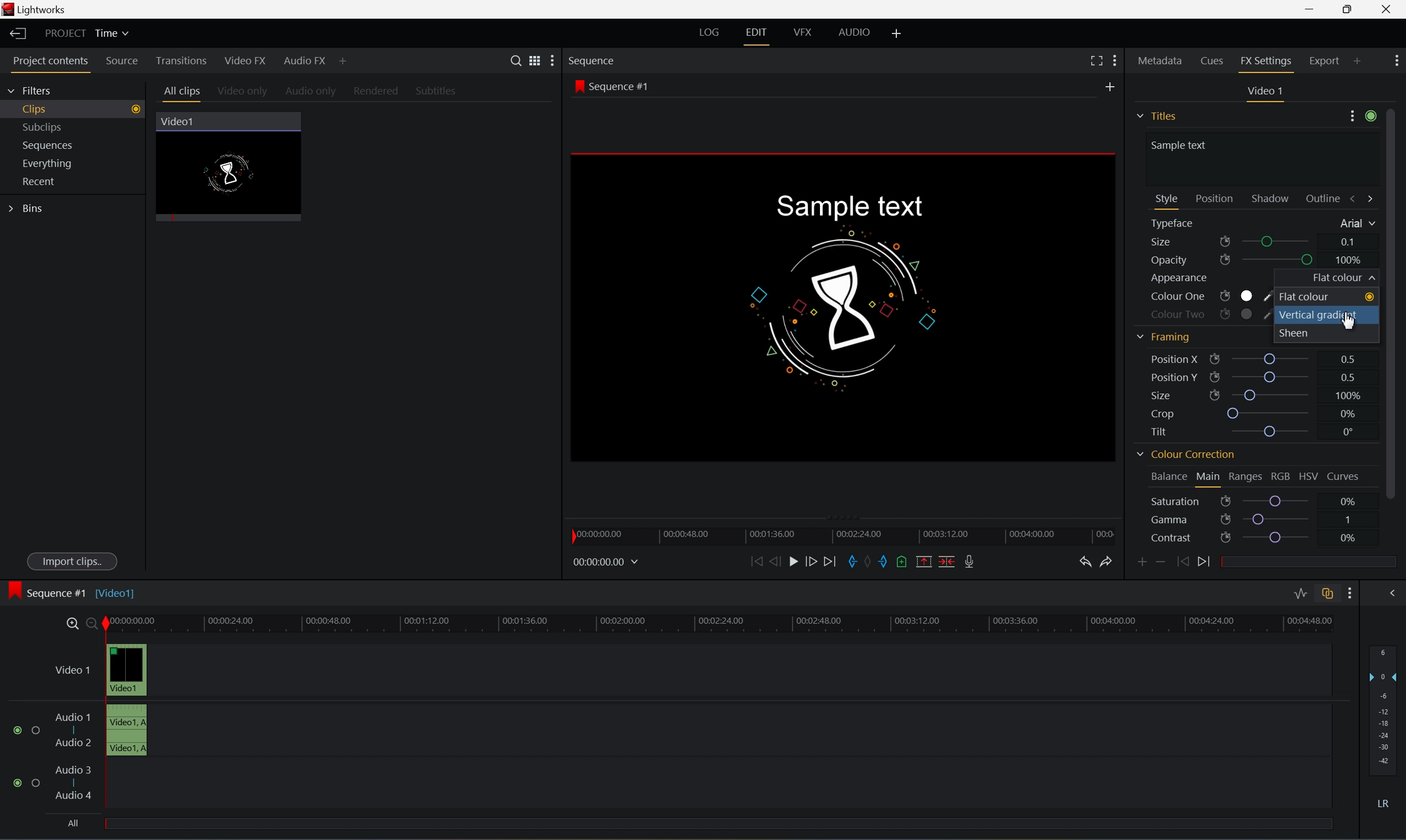 Image resolution: width=1406 pixels, height=840 pixels. Describe the element at coordinates (1355, 224) in the screenshot. I see `arial` at that location.